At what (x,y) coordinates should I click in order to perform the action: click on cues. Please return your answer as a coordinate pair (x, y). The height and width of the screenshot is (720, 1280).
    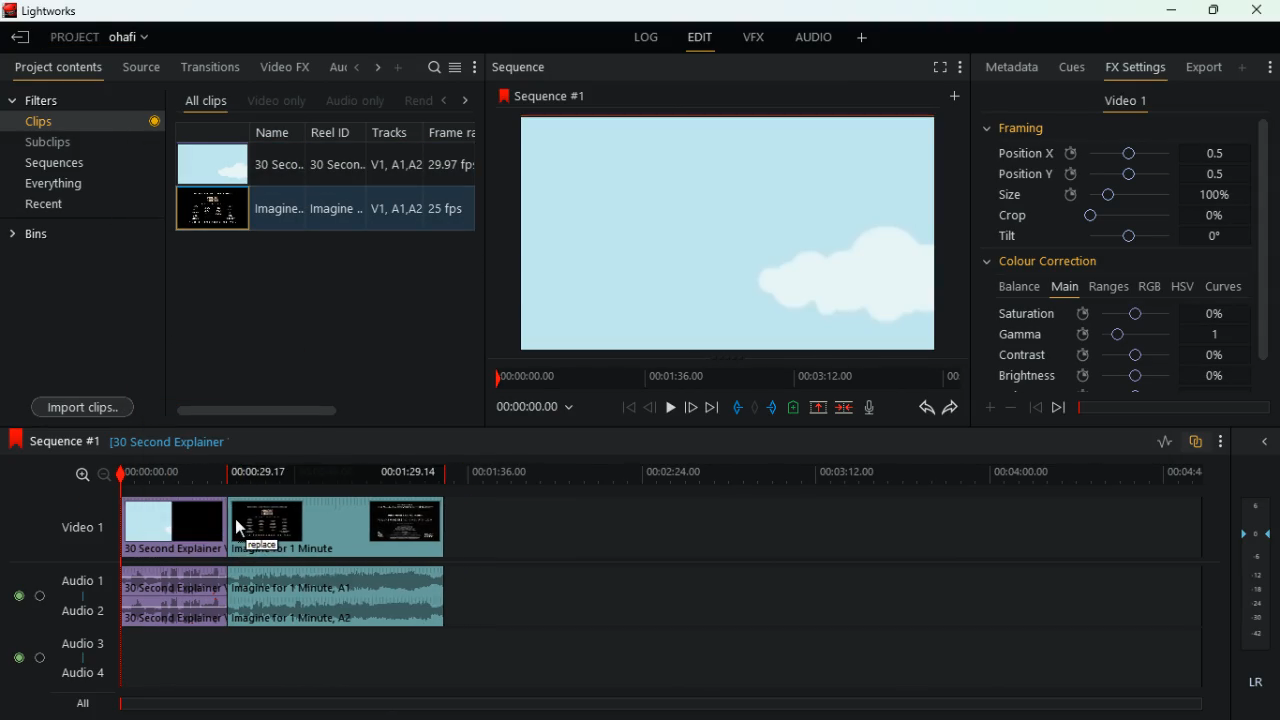
    Looking at the image, I should click on (1073, 67).